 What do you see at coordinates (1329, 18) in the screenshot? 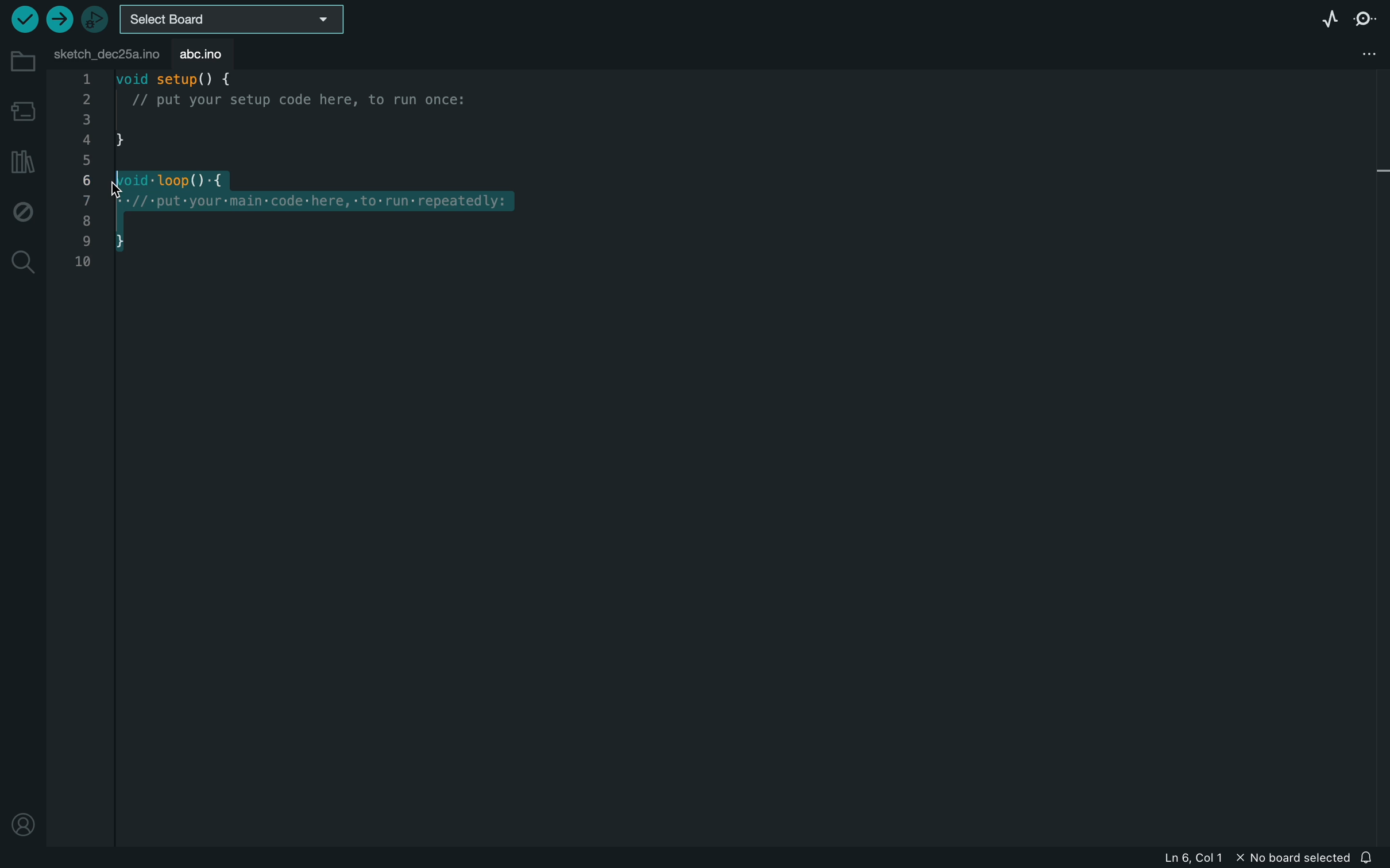
I see `serial  plotter` at bounding box center [1329, 18].